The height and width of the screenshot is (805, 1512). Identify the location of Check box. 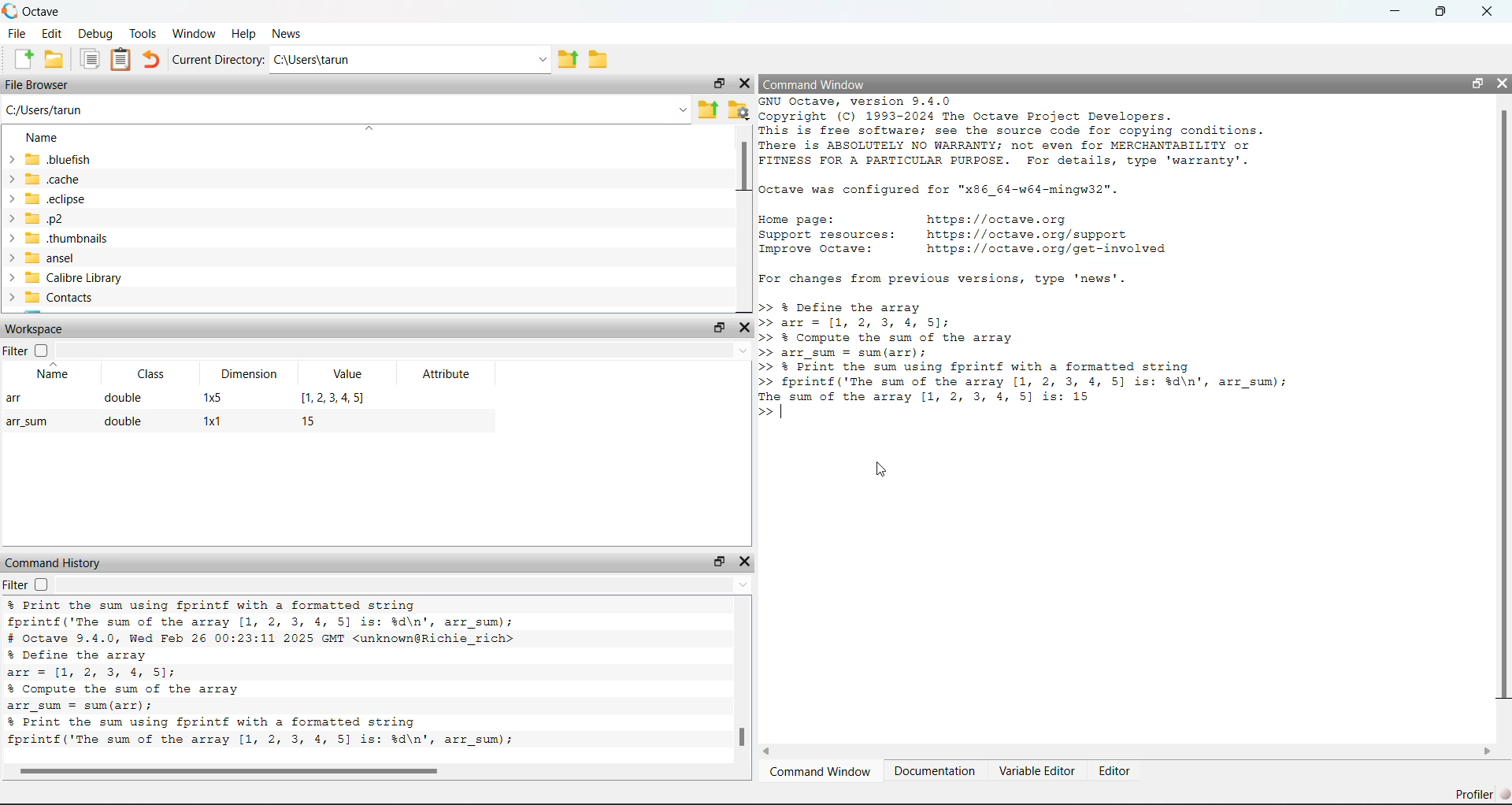
(41, 584).